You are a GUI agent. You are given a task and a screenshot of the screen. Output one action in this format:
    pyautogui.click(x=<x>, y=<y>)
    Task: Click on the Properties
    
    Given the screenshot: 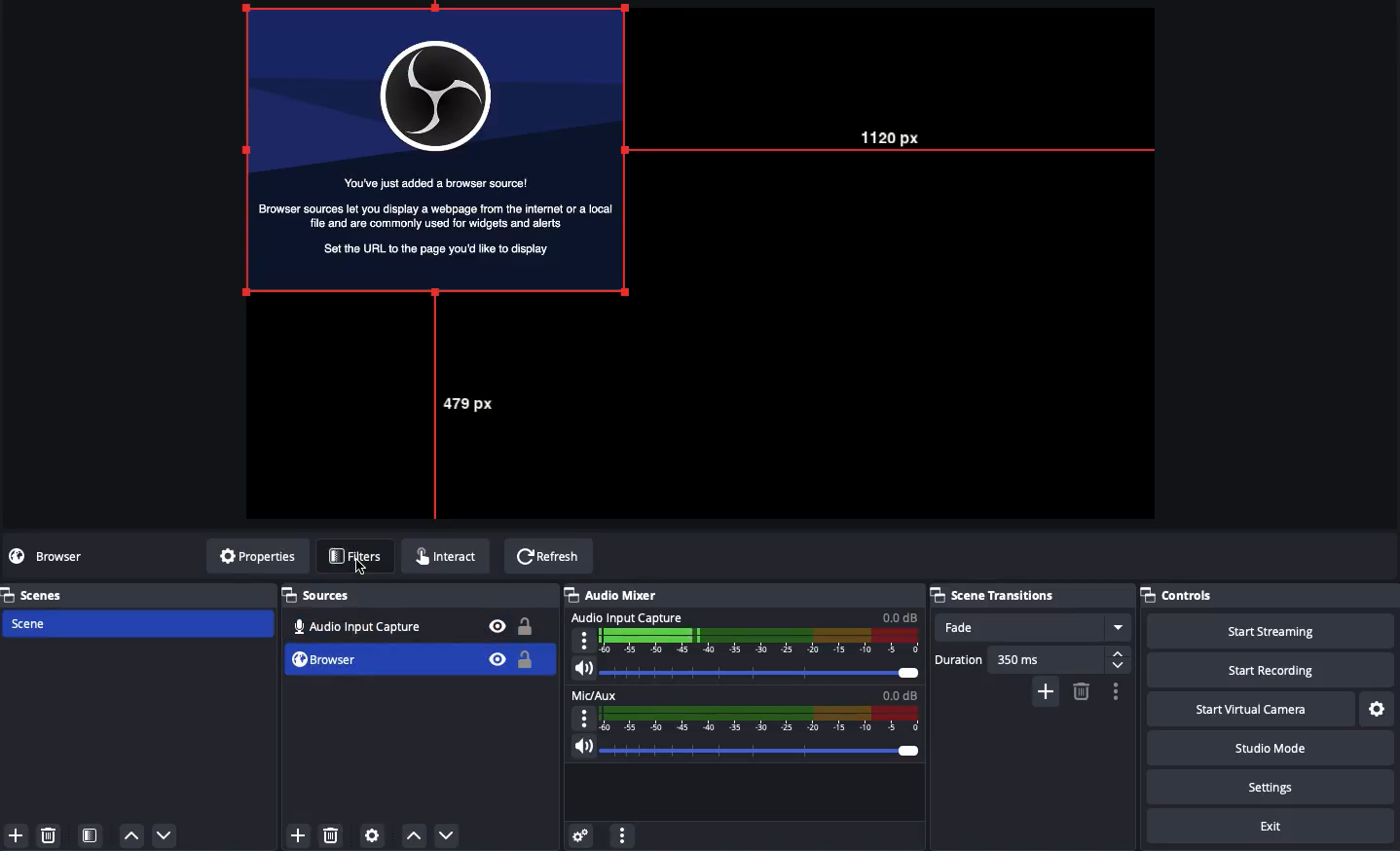 What is the action you would take?
    pyautogui.click(x=259, y=555)
    